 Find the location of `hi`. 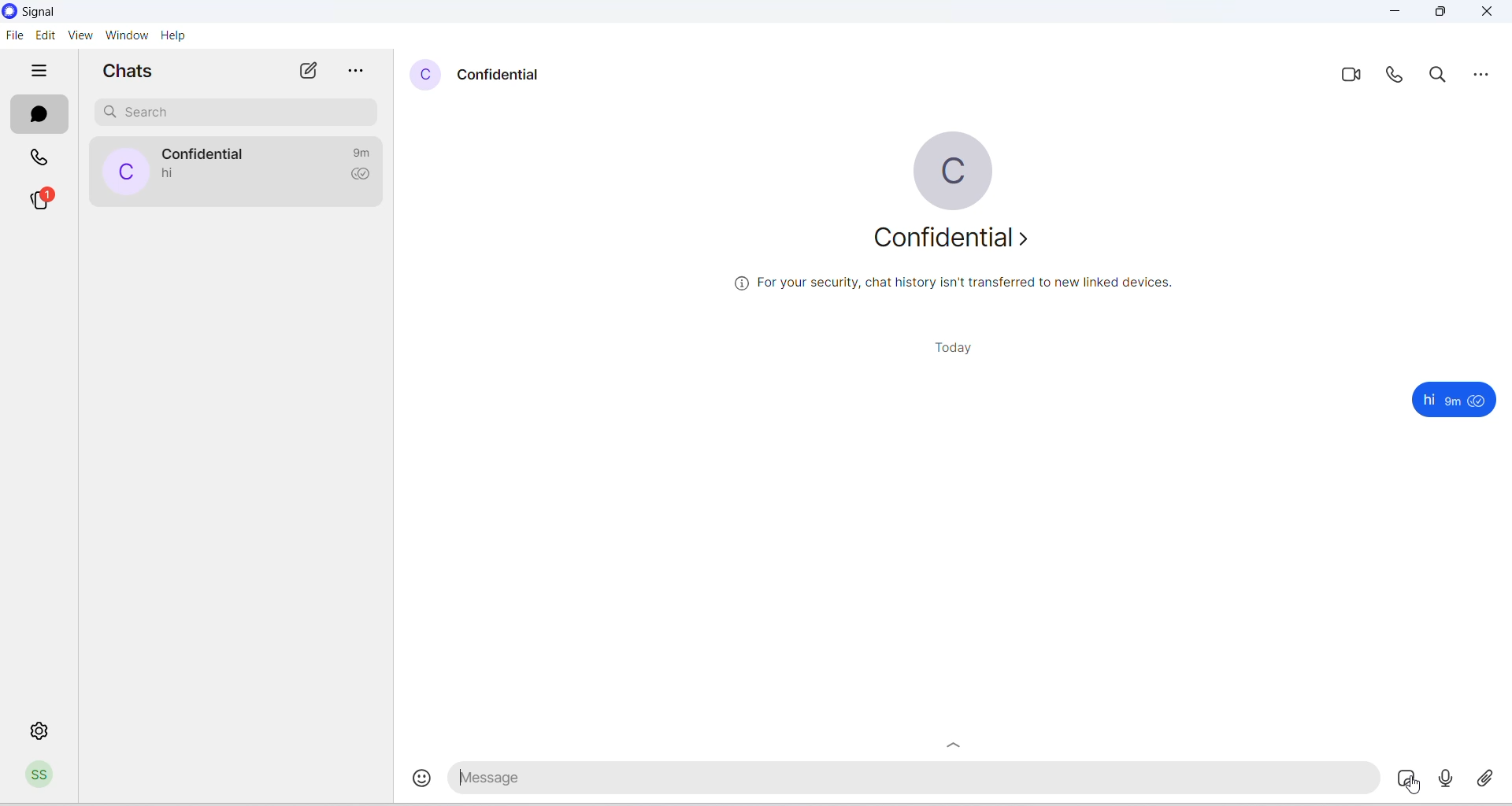

hi is located at coordinates (1428, 400).